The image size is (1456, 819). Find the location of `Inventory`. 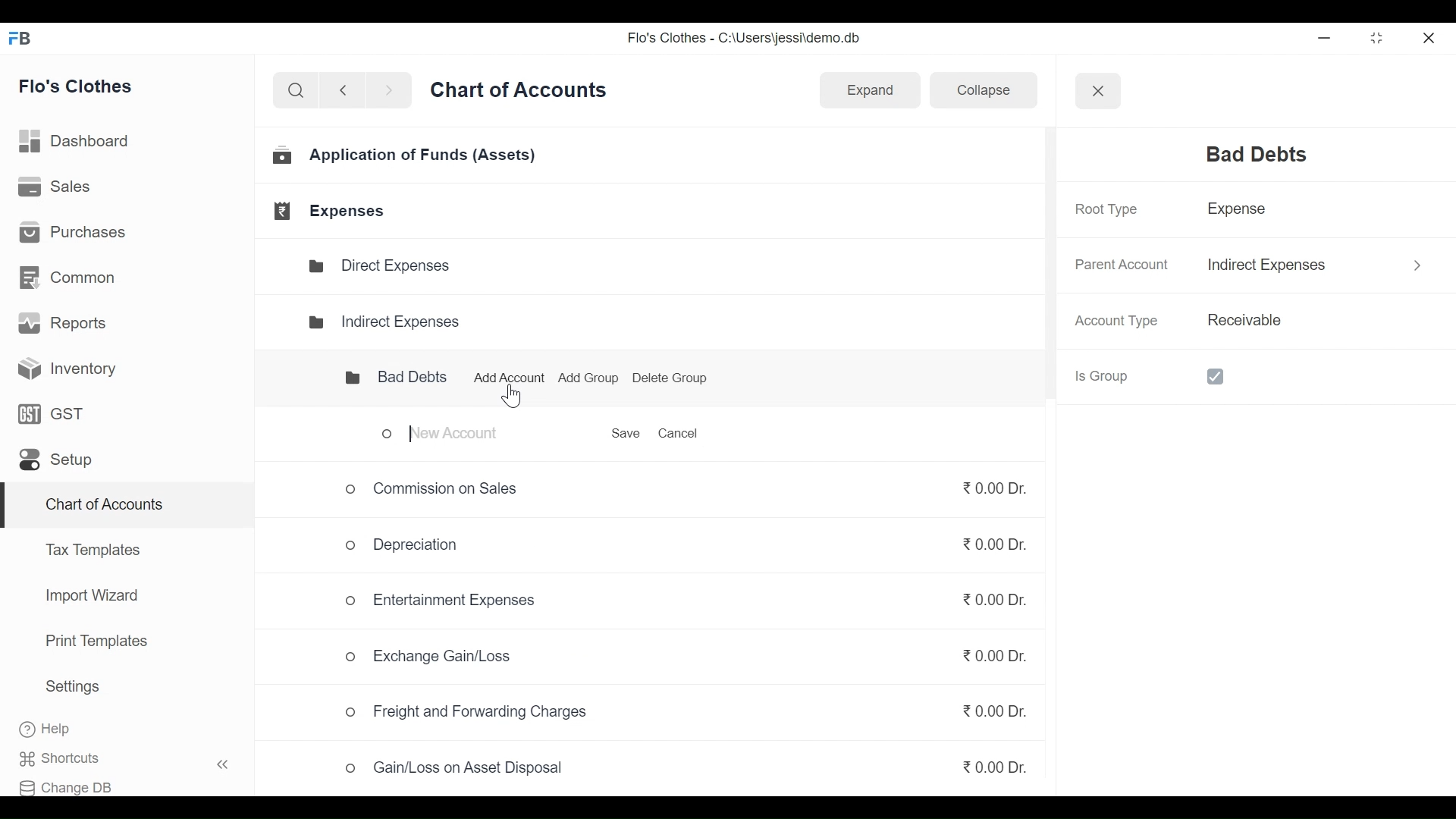

Inventory is located at coordinates (62, 368).